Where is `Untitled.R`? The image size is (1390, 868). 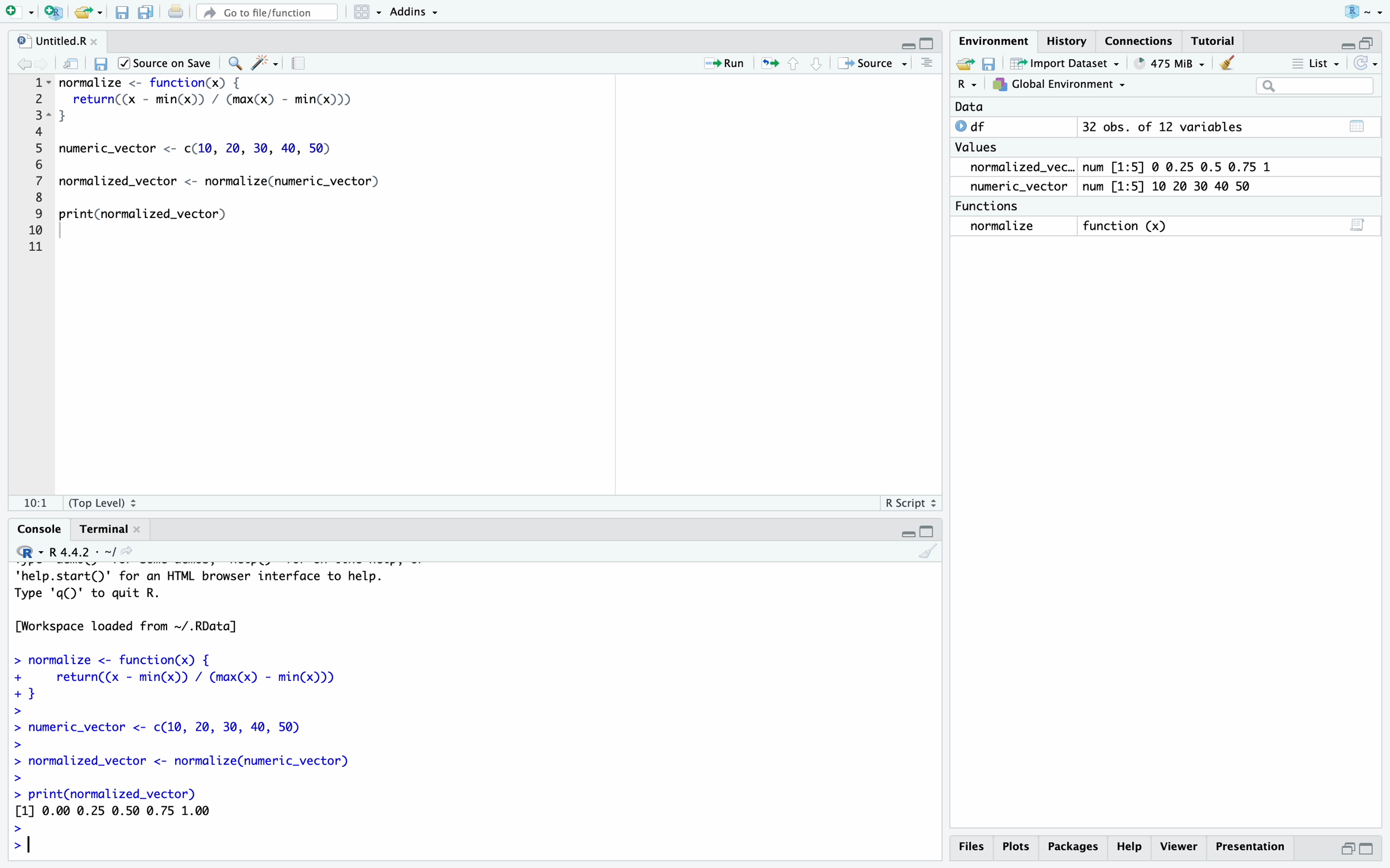
Untitled.R is located at coordinates (57, 39).